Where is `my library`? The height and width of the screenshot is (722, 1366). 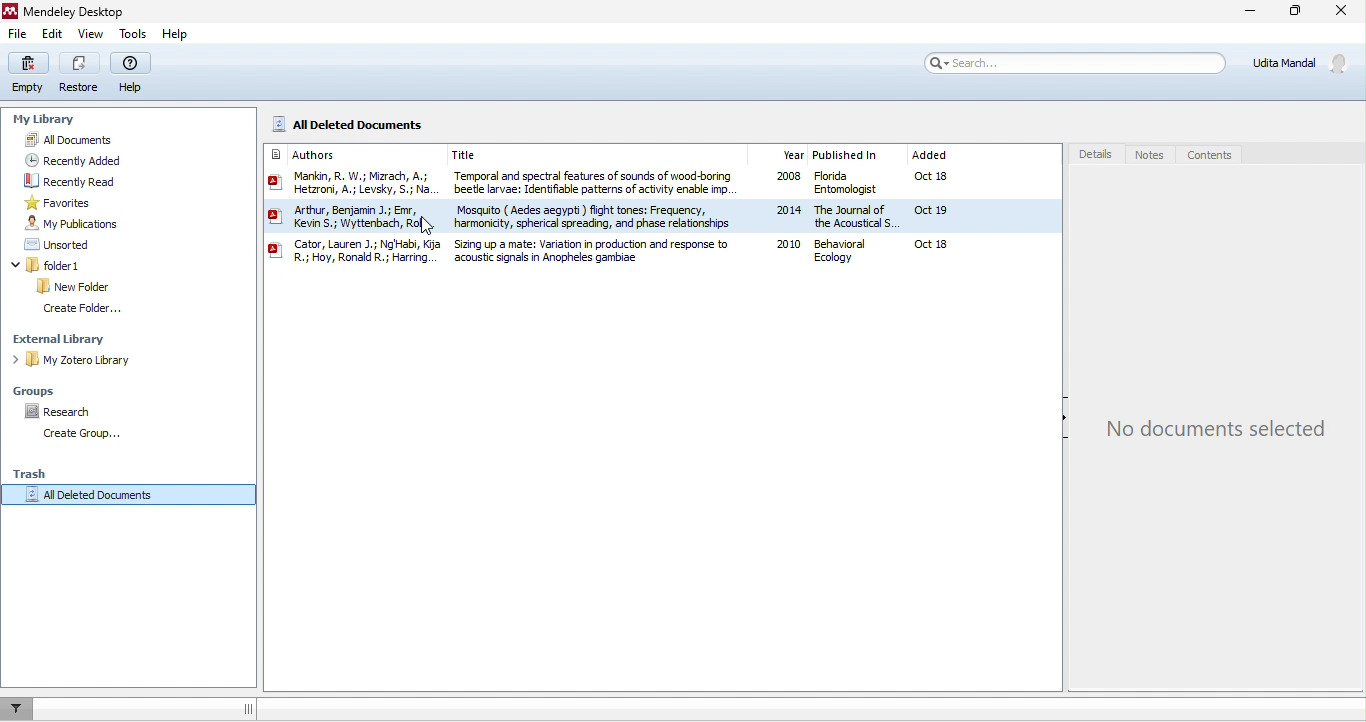
my library is located at coordinates (48, 121).